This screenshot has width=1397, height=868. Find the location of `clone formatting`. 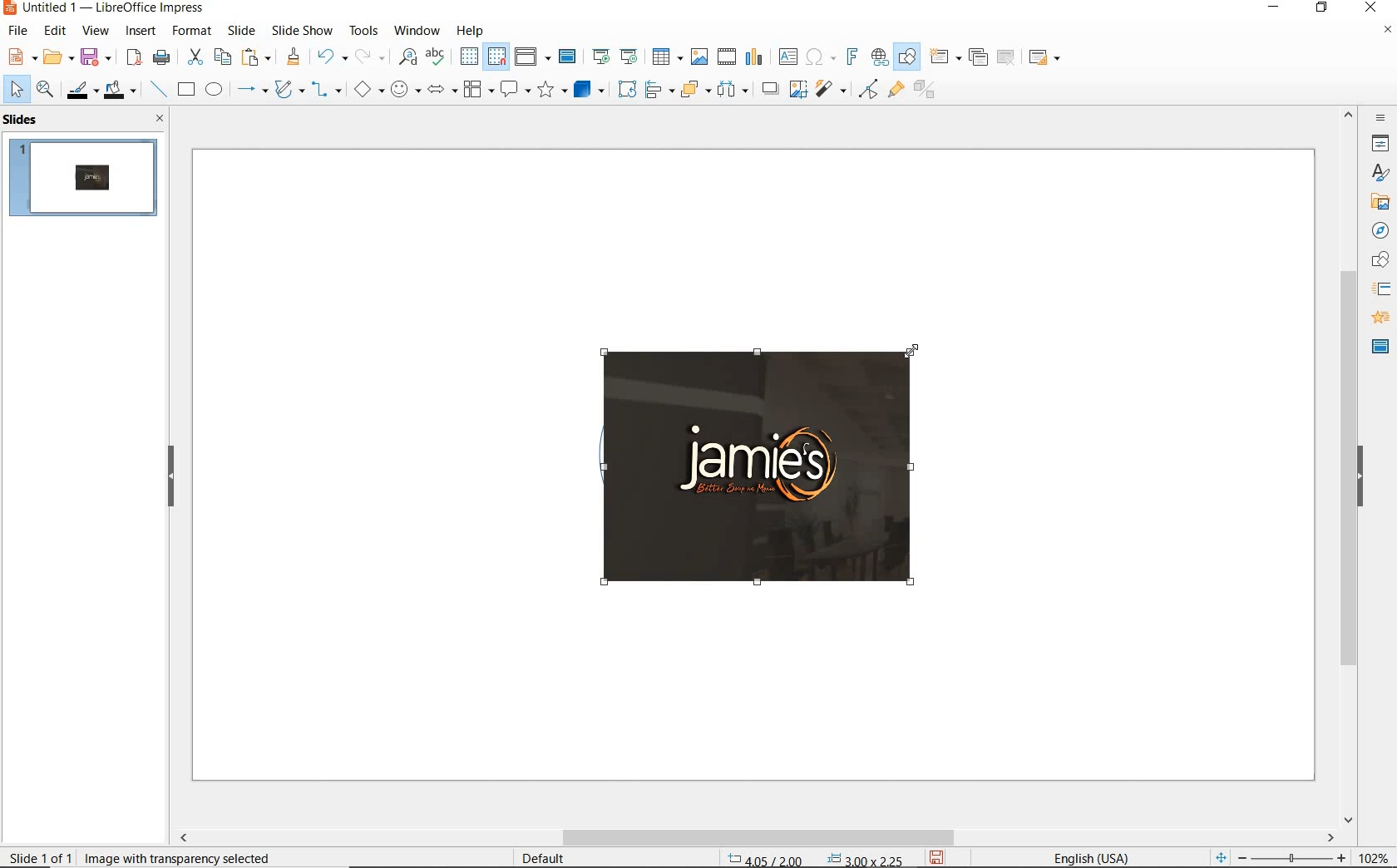

clone formatting is located at coordinates (294, 57).